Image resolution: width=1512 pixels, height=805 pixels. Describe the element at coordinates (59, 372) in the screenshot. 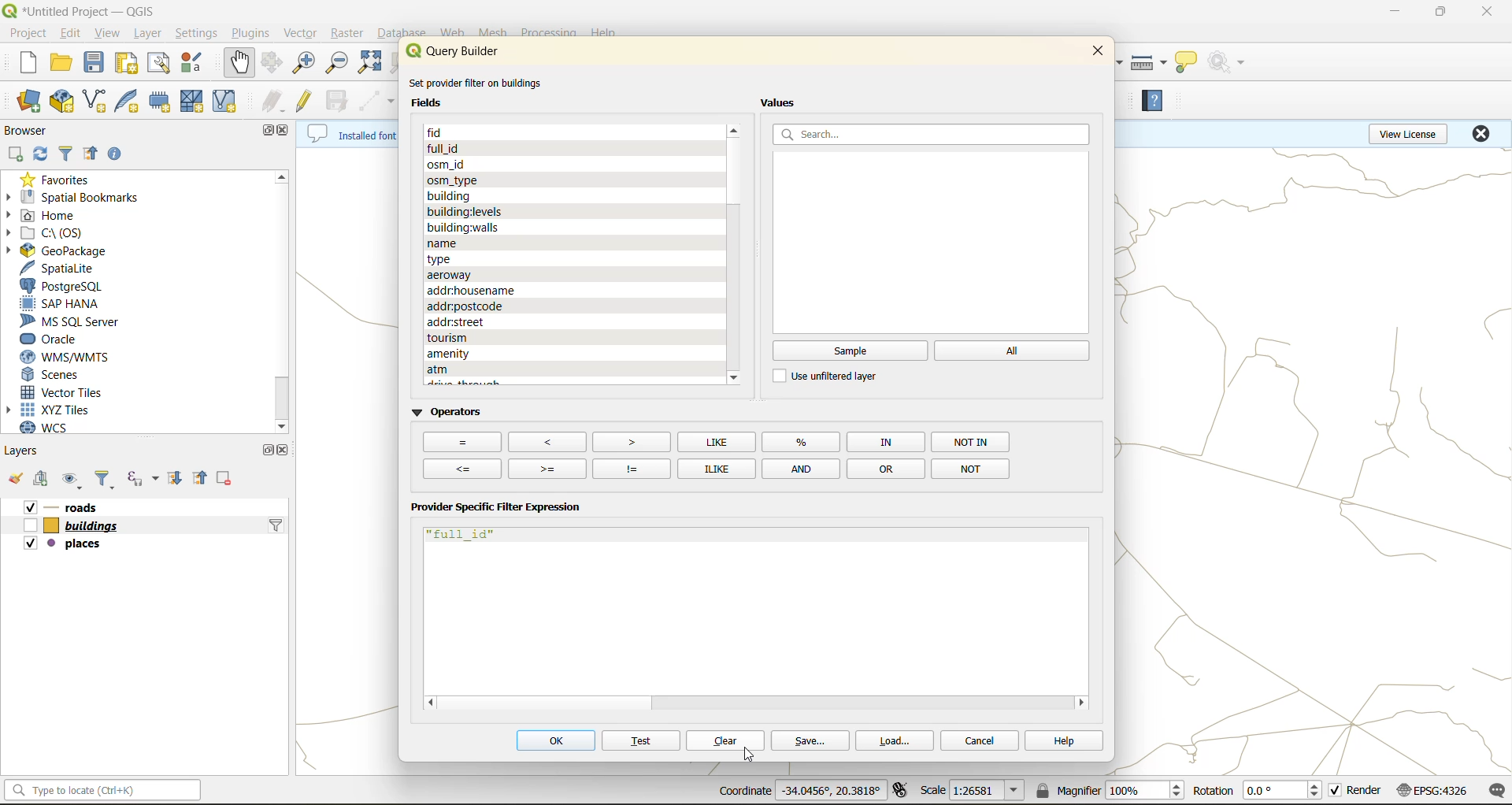

I see `scenes` at that location.